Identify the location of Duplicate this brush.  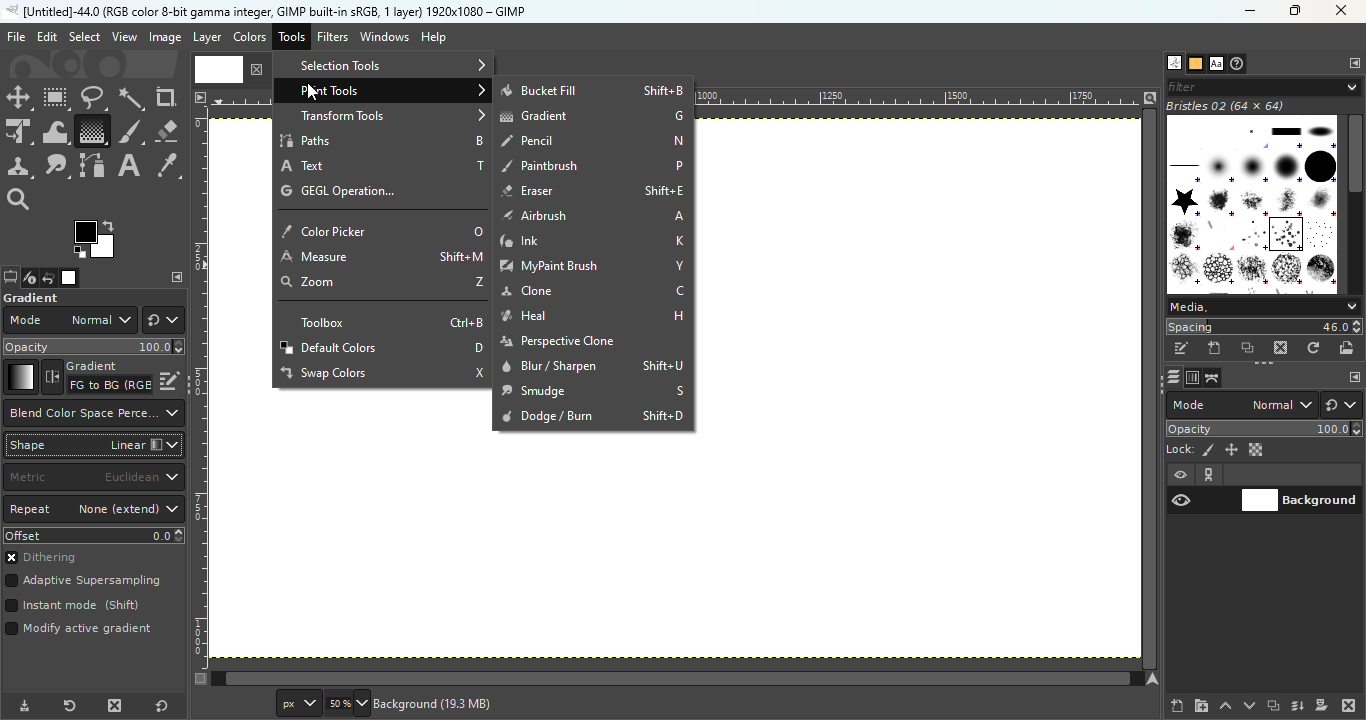
(1249, 348).